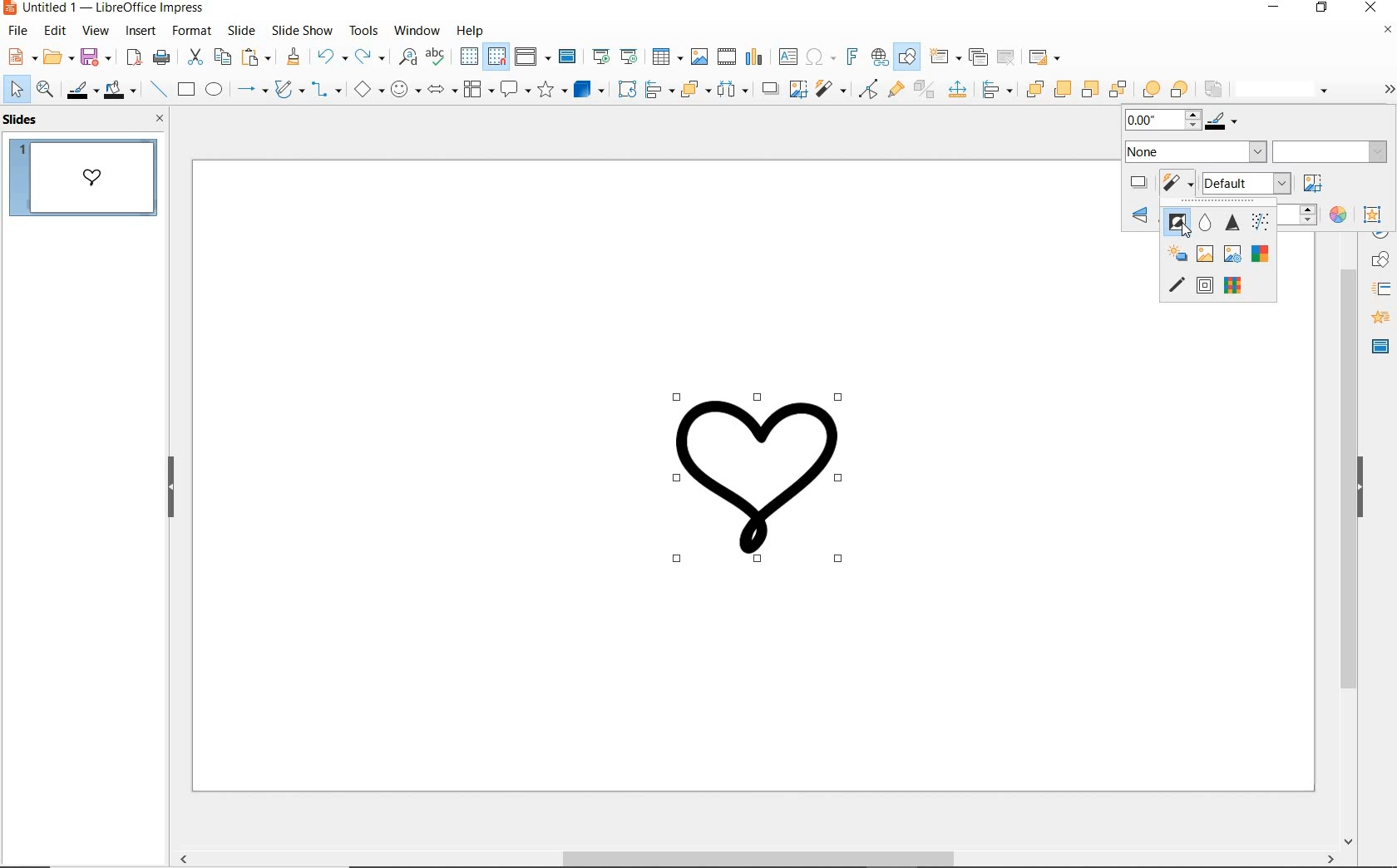 Image resolution: width=1397 pixels, height=868 pixels. Describe the element at coordinates (1337, 213) in the screenshot. I see `color` at that location.